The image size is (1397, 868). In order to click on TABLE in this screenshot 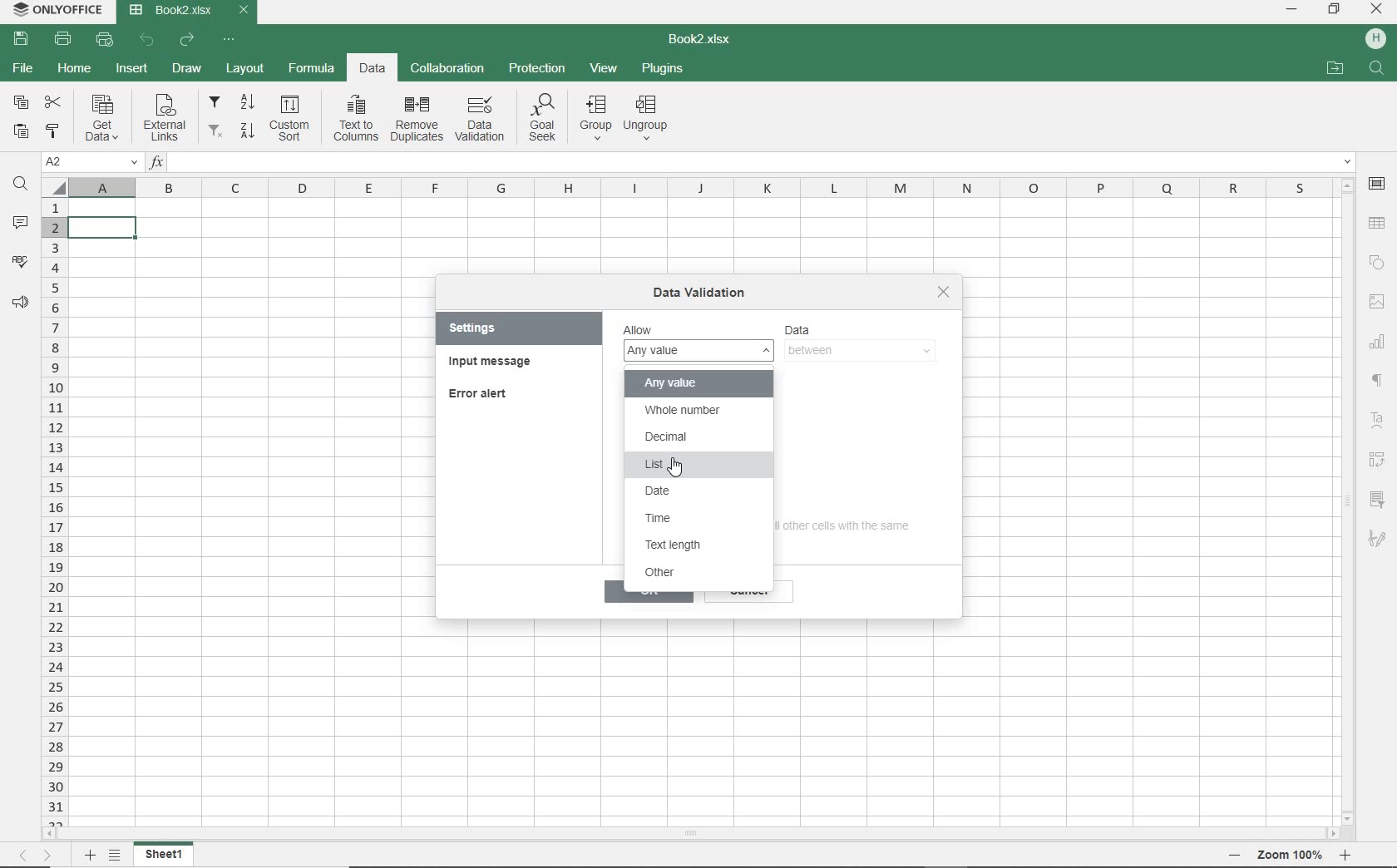, I will do `click(1378, 223)`.